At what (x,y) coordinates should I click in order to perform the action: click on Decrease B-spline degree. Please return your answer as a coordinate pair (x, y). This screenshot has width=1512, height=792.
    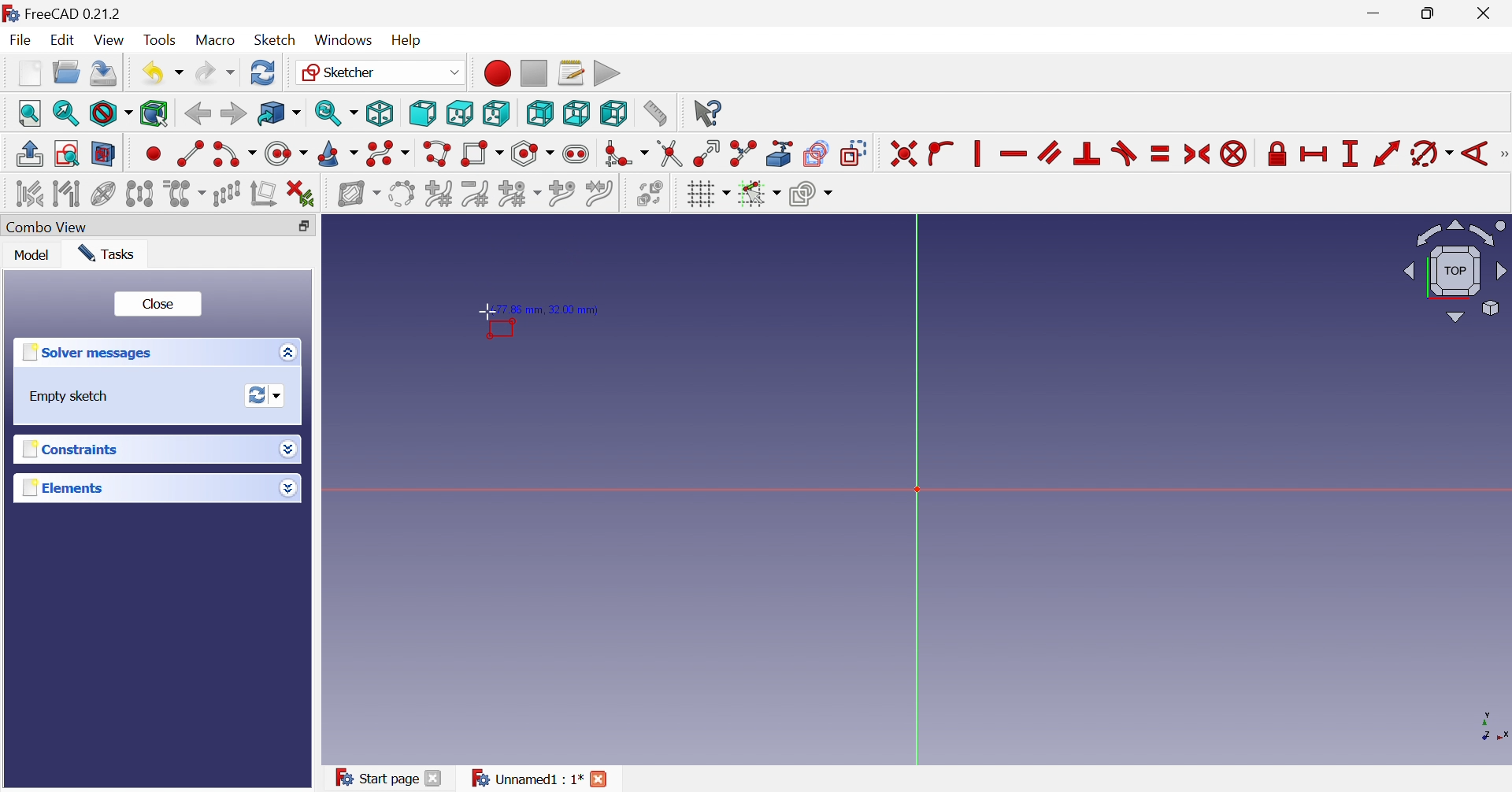
    Looking at the image, I should click on (475, 194).